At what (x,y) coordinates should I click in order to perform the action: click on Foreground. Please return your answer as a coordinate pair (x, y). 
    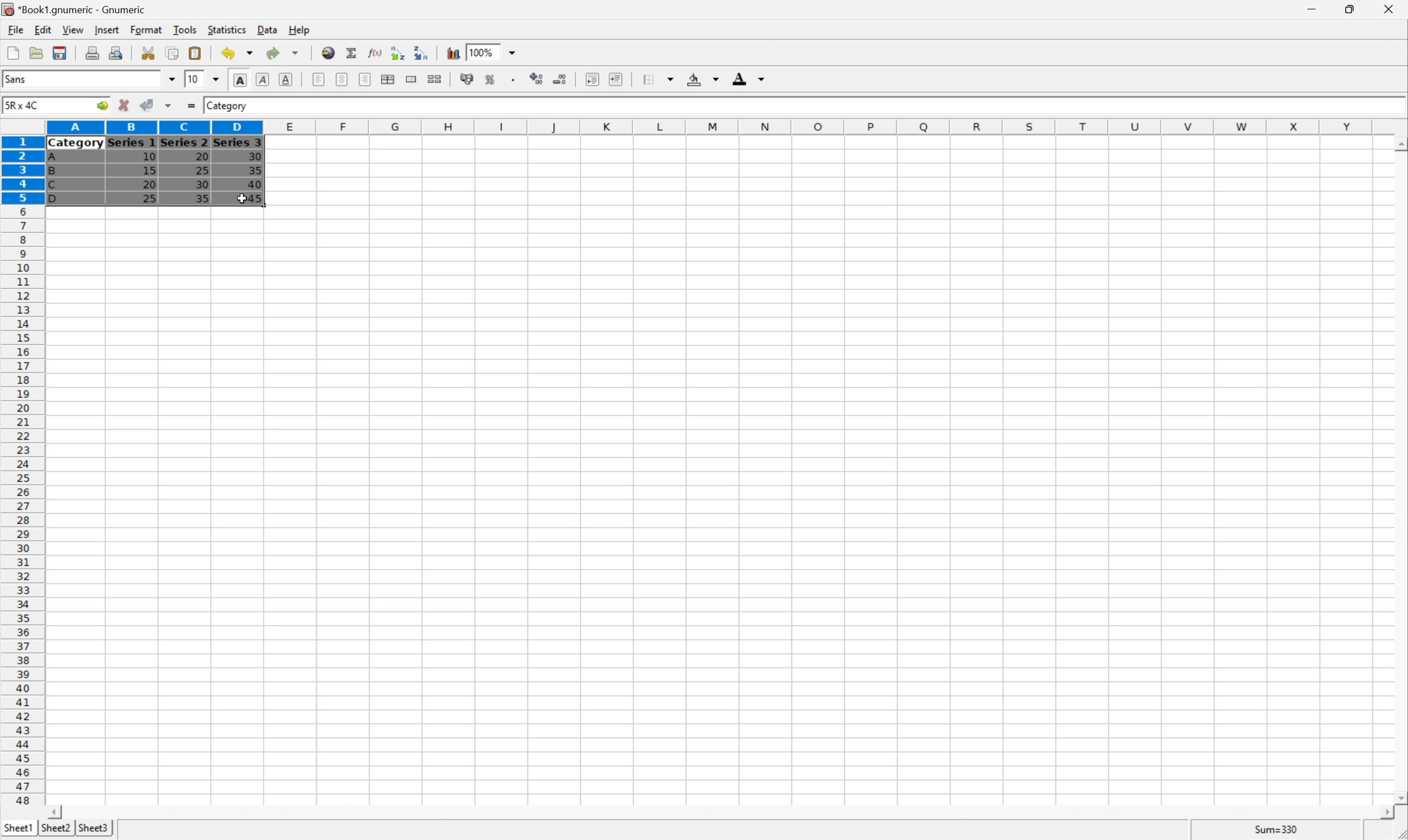
    Looking at the image, I should click on (747, 77).